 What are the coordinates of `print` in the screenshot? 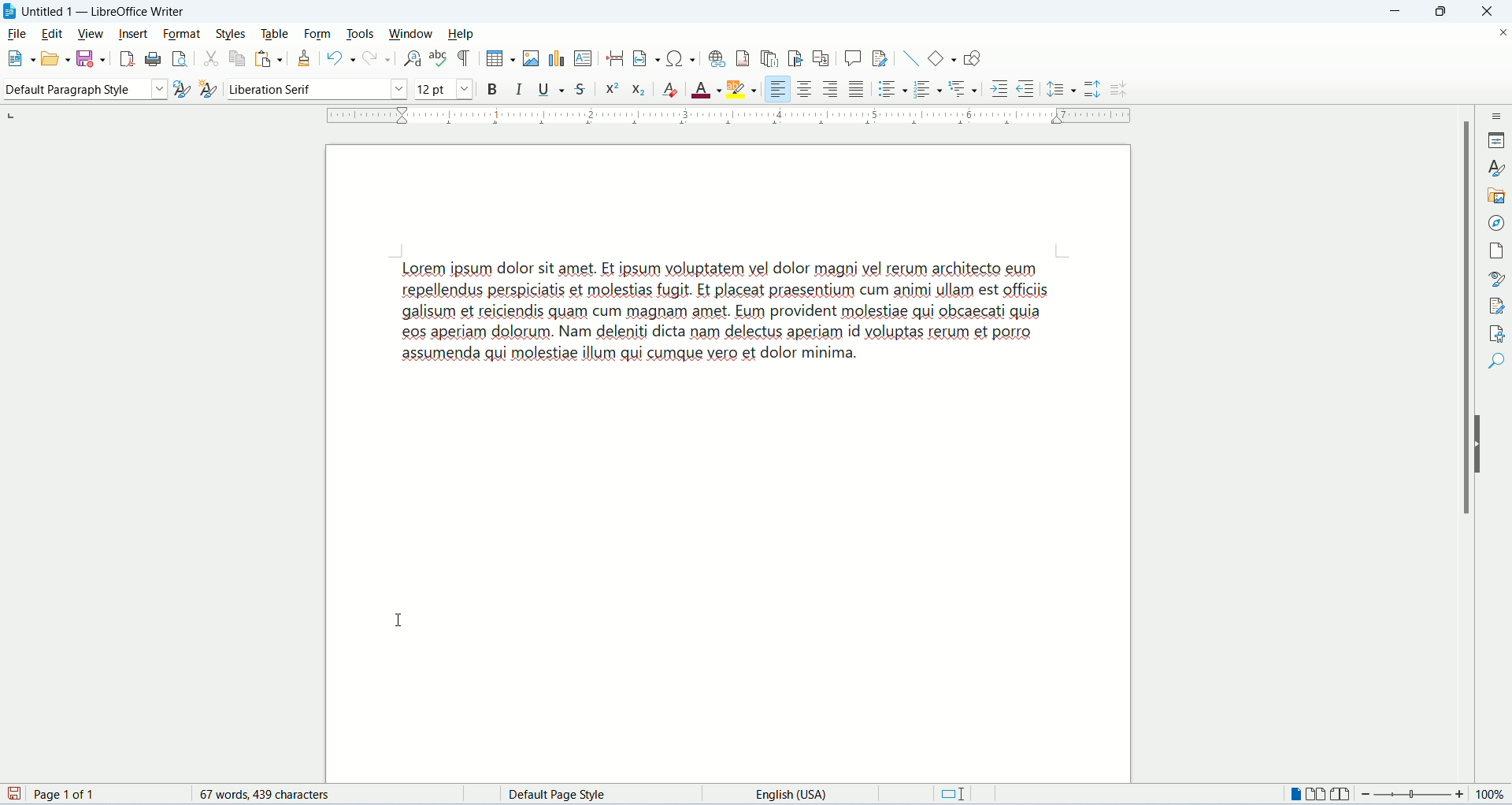 It's located at (152, 59).